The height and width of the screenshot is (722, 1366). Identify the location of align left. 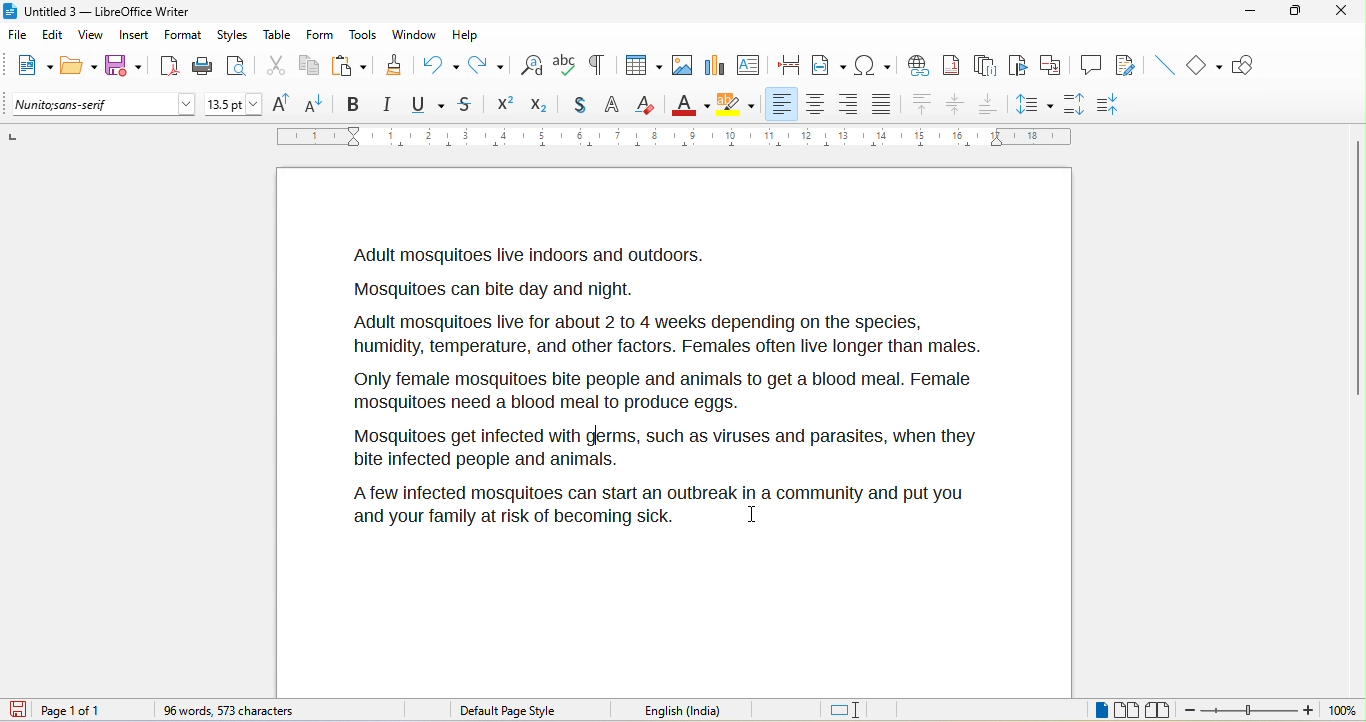
(783, 104).